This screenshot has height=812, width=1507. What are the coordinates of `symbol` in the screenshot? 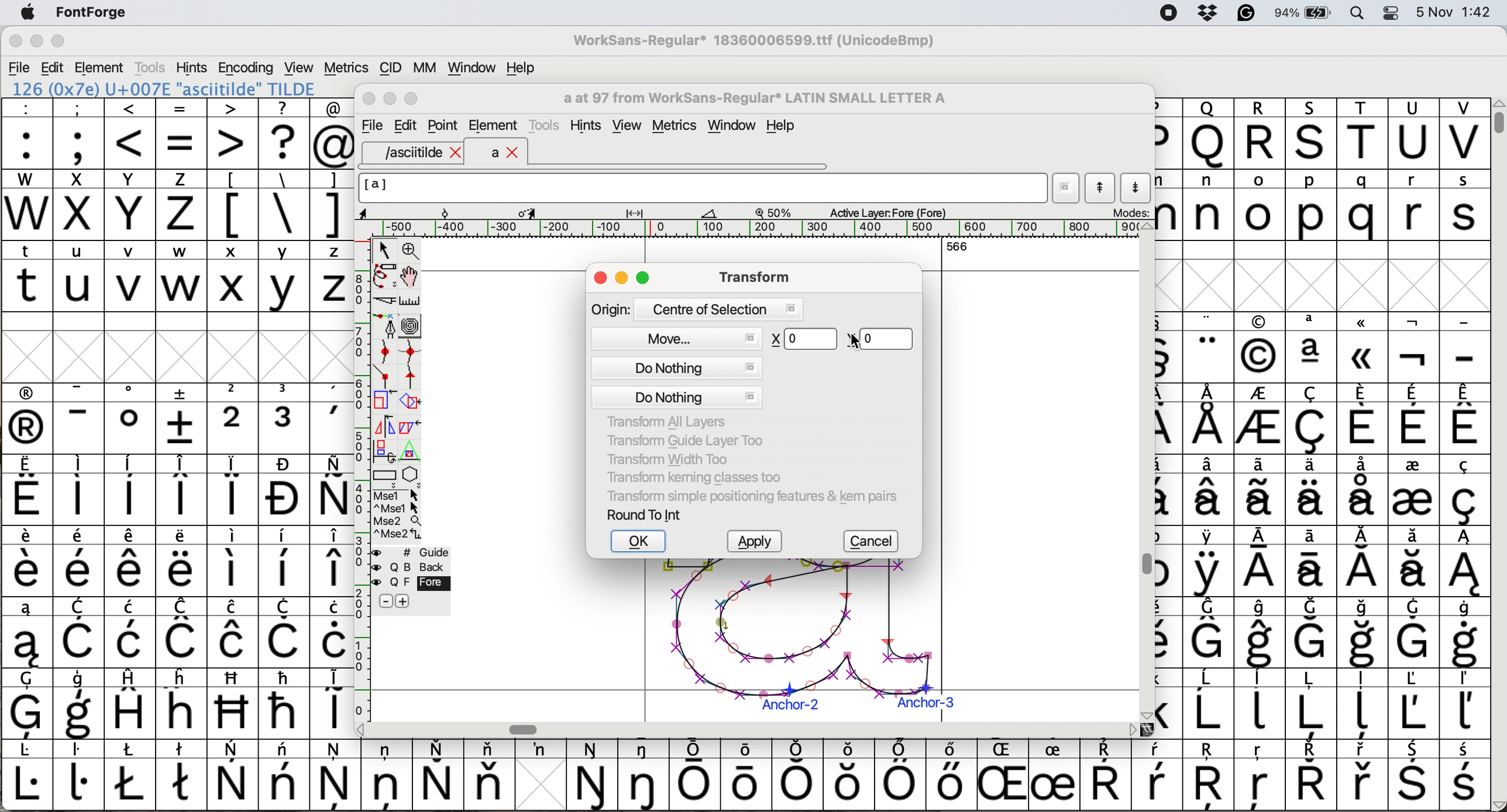 It's located at (78, 490).